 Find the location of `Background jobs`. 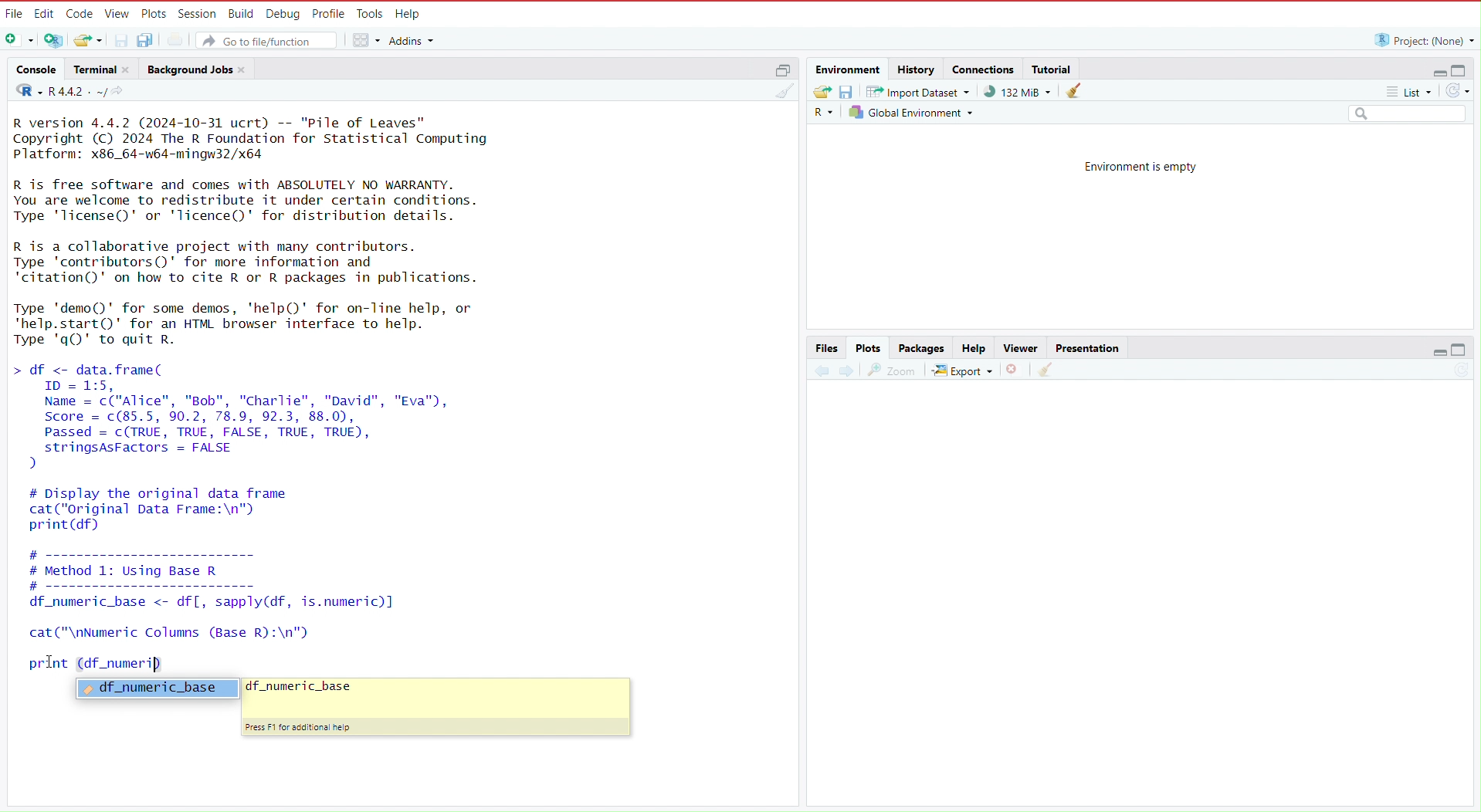

Background jobs is located at coordinates (188, 67).